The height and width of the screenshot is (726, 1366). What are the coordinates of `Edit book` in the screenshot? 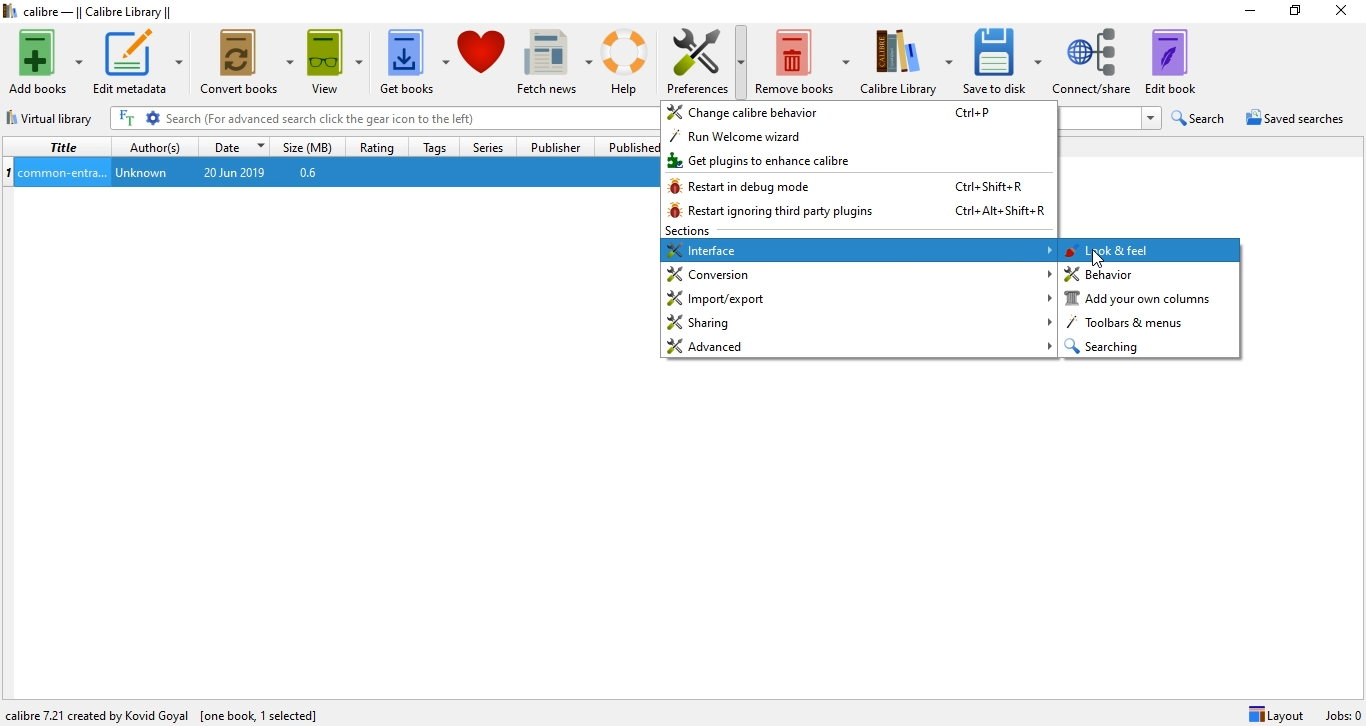 It's located at (1180, 61).